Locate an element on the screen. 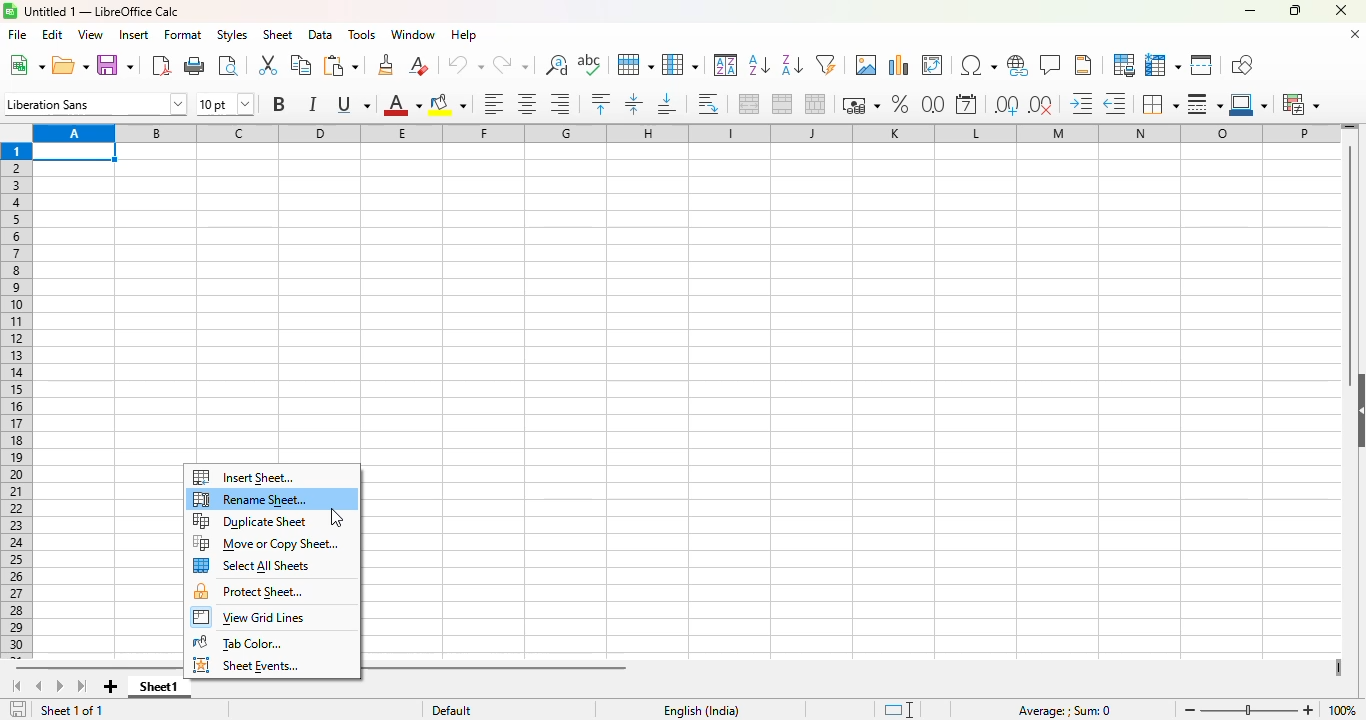 The width and height of the screenshot is (1366, 720). font size is located at coordinates (224, 103).